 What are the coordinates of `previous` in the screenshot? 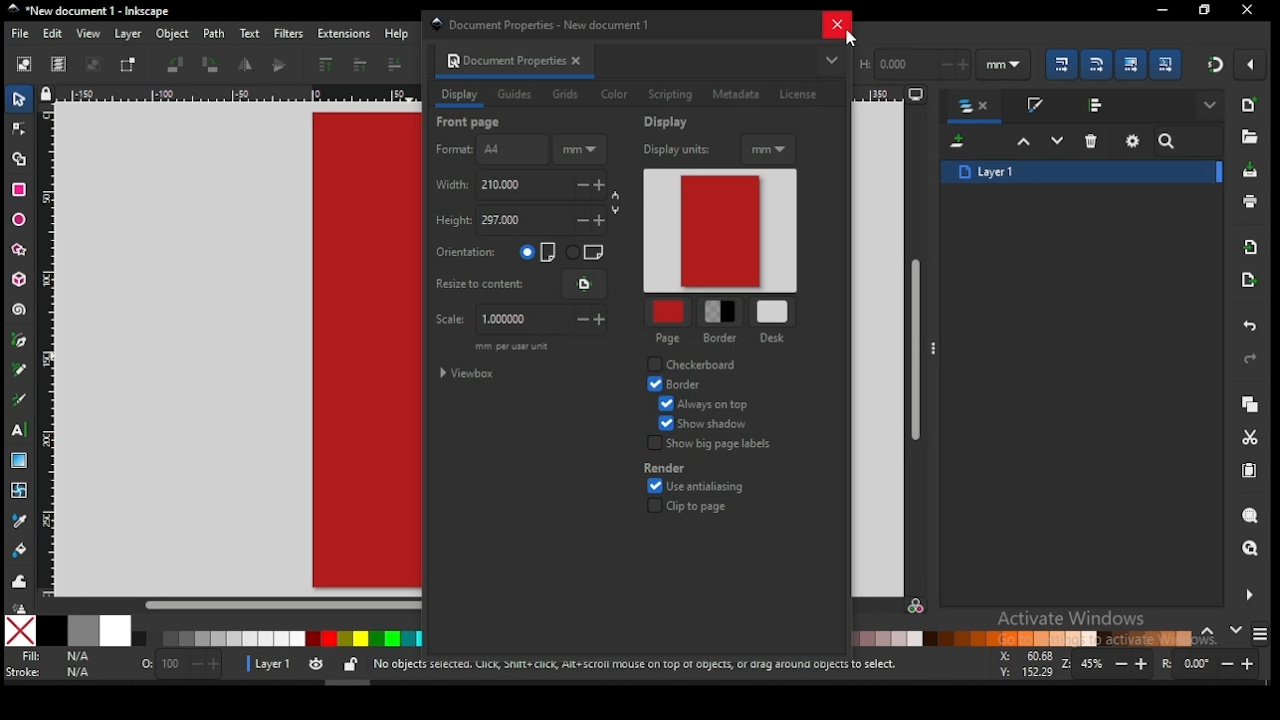 It's located at (1211, 632).